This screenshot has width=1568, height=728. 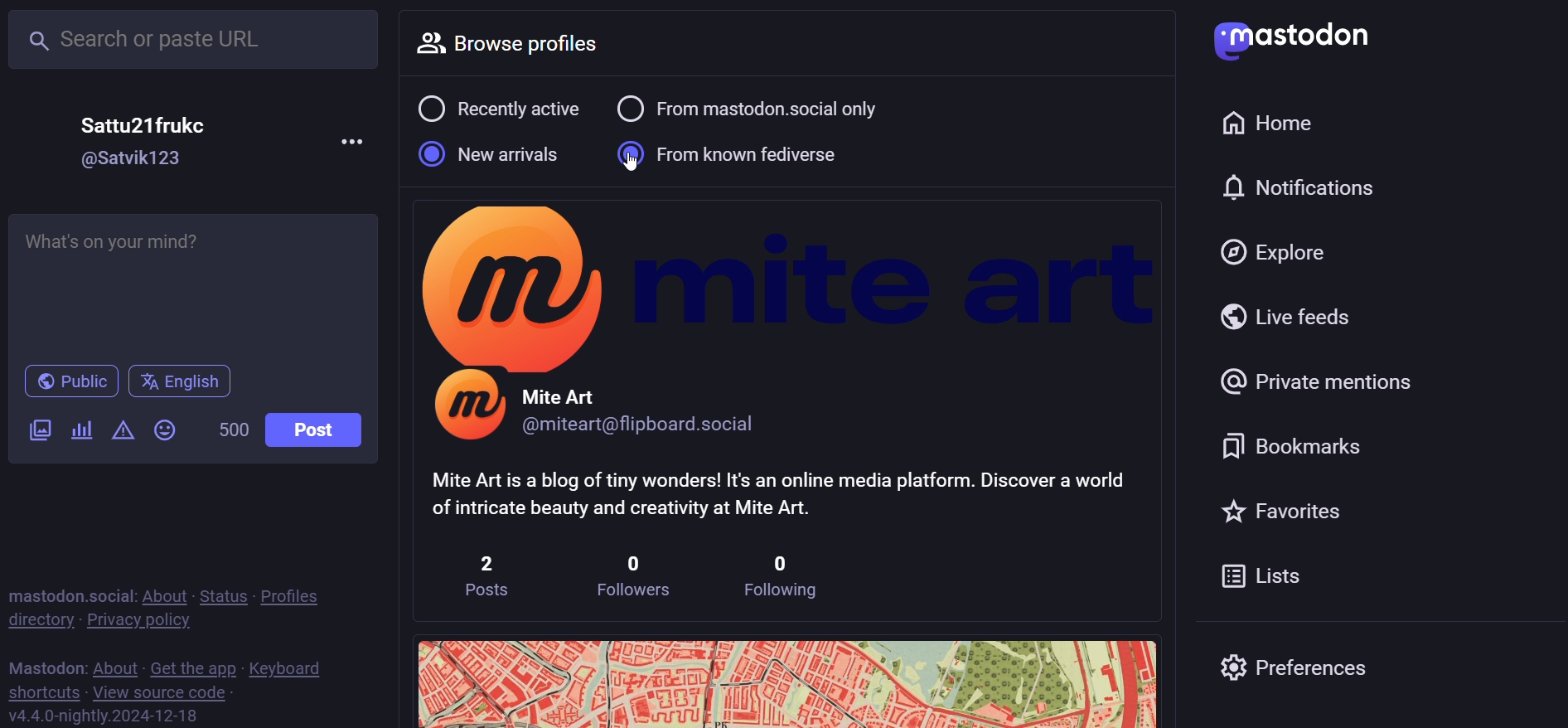 What do you see at coordinates (1294, 320) in the screenshot?
I see `live feed` at bounding box center [1294, 320].